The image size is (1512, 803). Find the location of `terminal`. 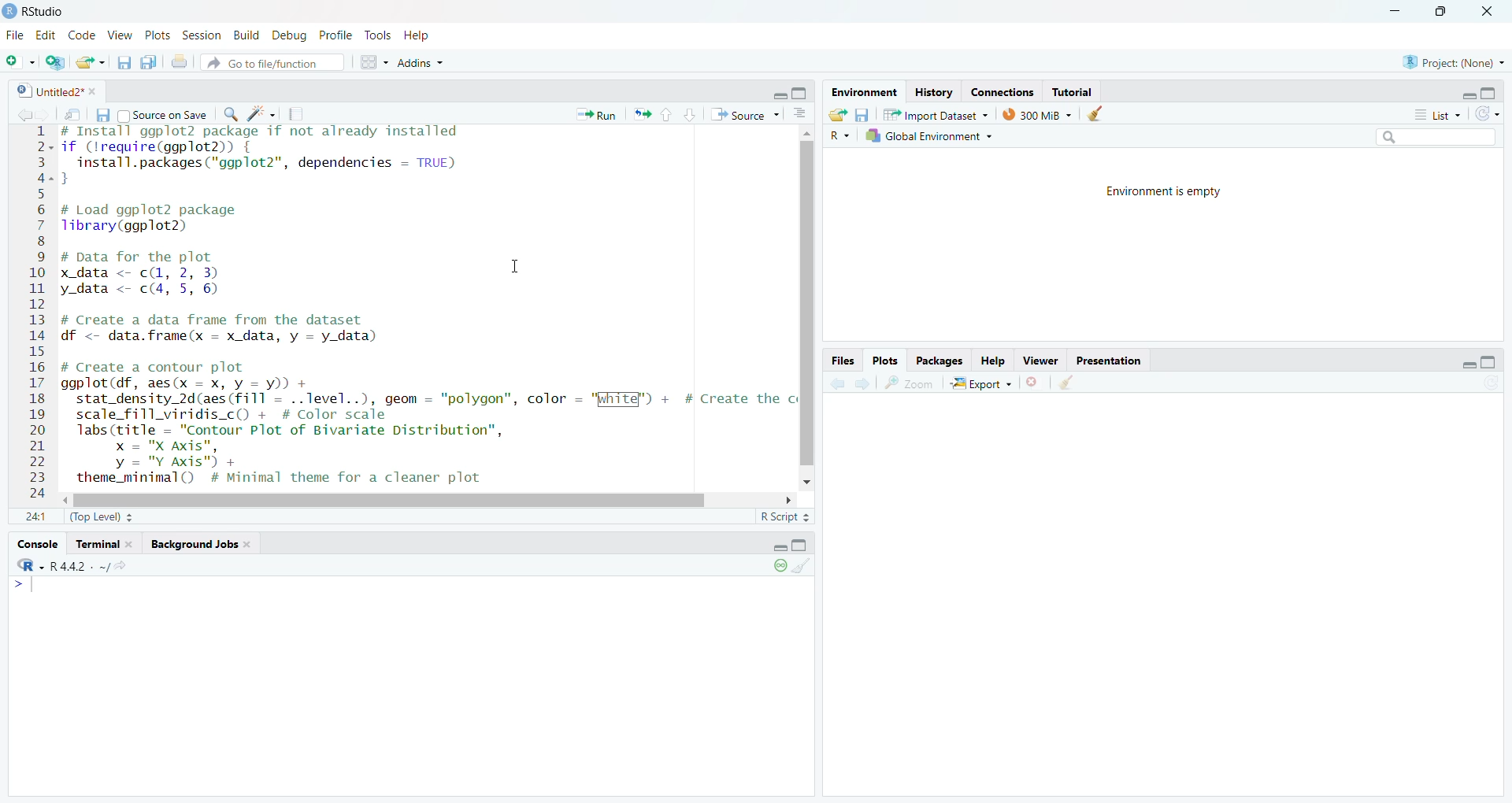

terminal is located at coordinates (103, 546).